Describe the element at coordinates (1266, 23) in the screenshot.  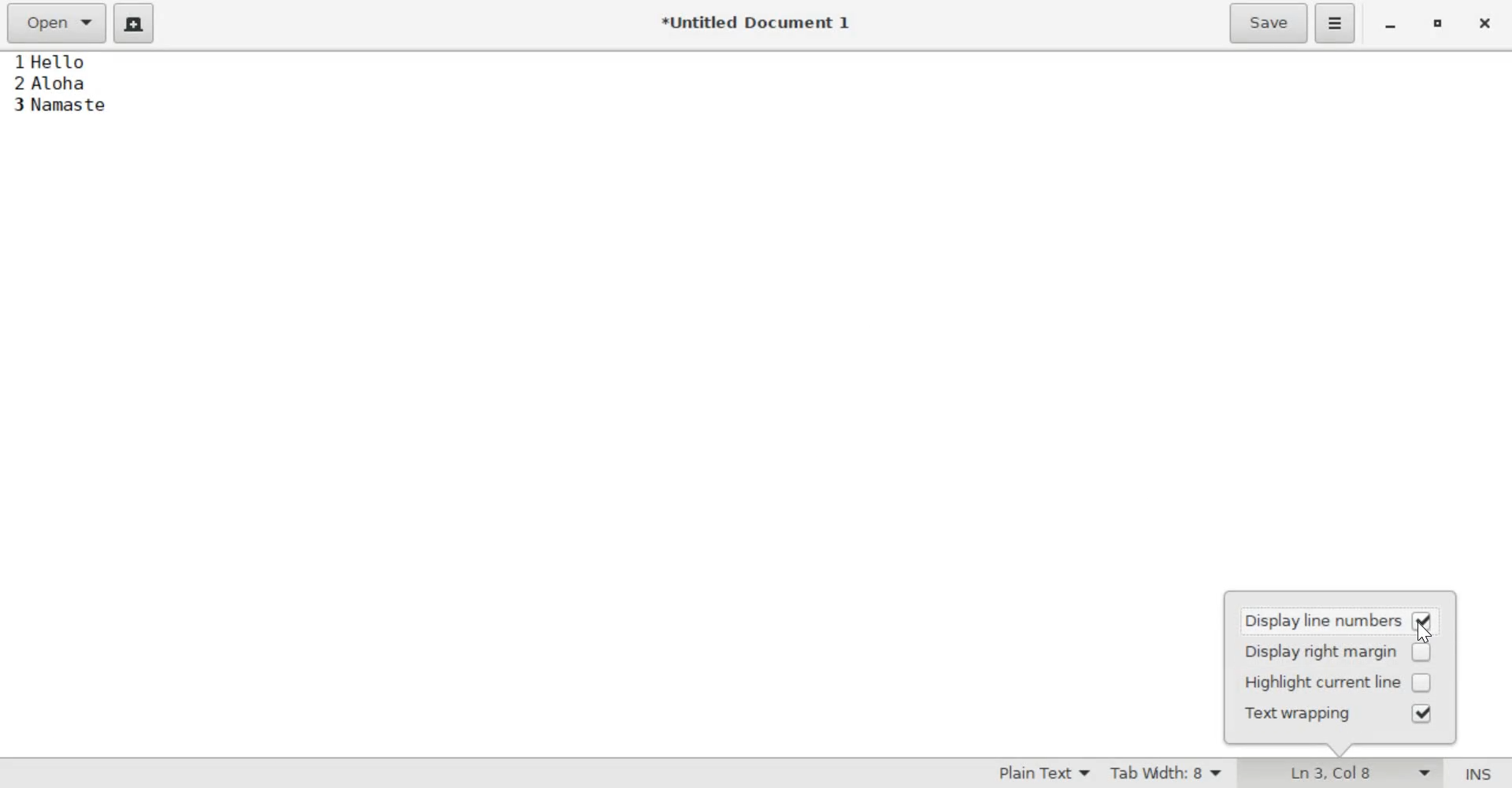
I see `Save` at that location.